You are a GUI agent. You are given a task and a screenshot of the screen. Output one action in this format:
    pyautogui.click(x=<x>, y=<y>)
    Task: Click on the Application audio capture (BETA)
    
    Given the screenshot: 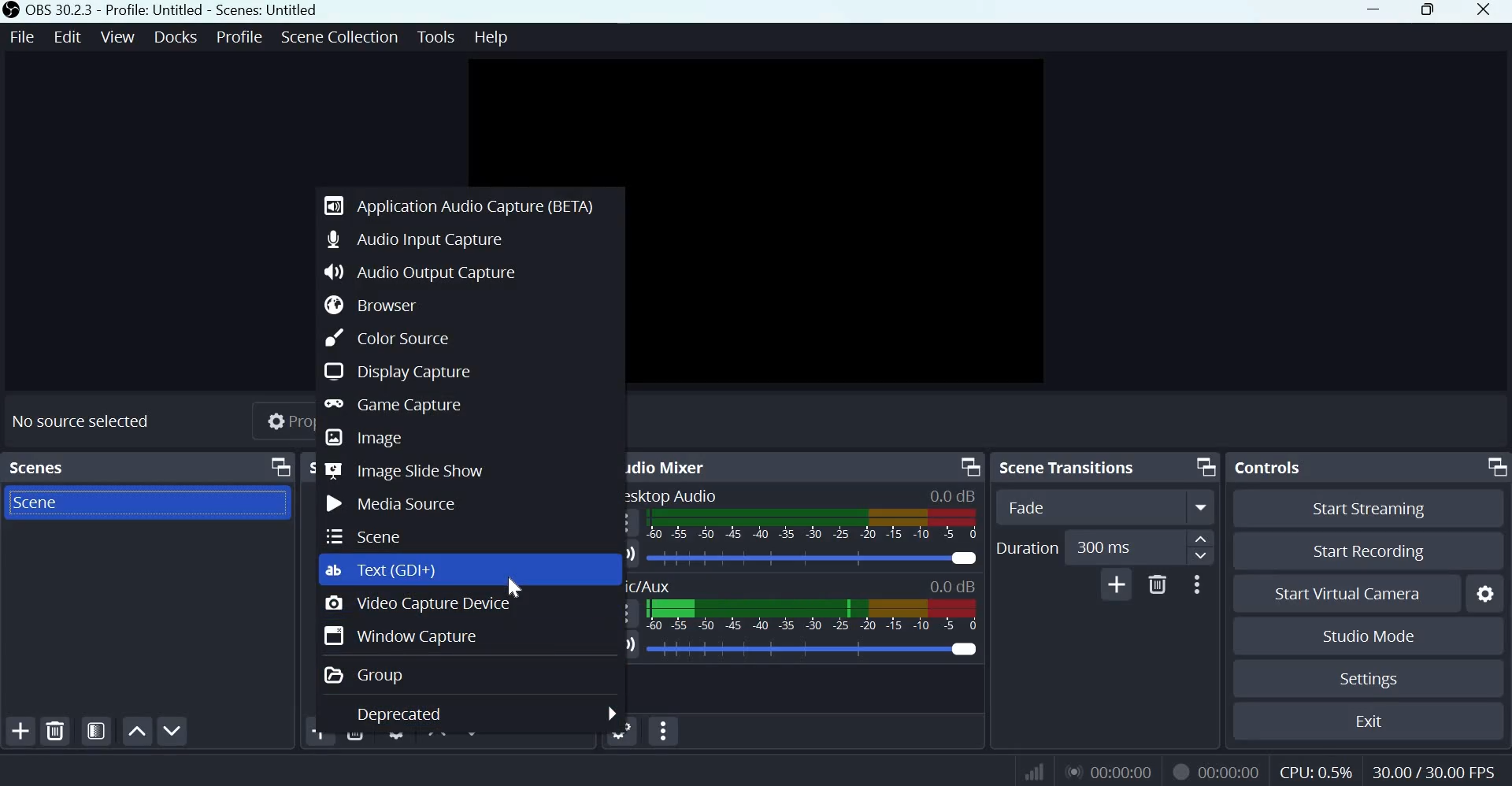 What is the action you would take?
    pyautogui.click(x=462, y=203)
    